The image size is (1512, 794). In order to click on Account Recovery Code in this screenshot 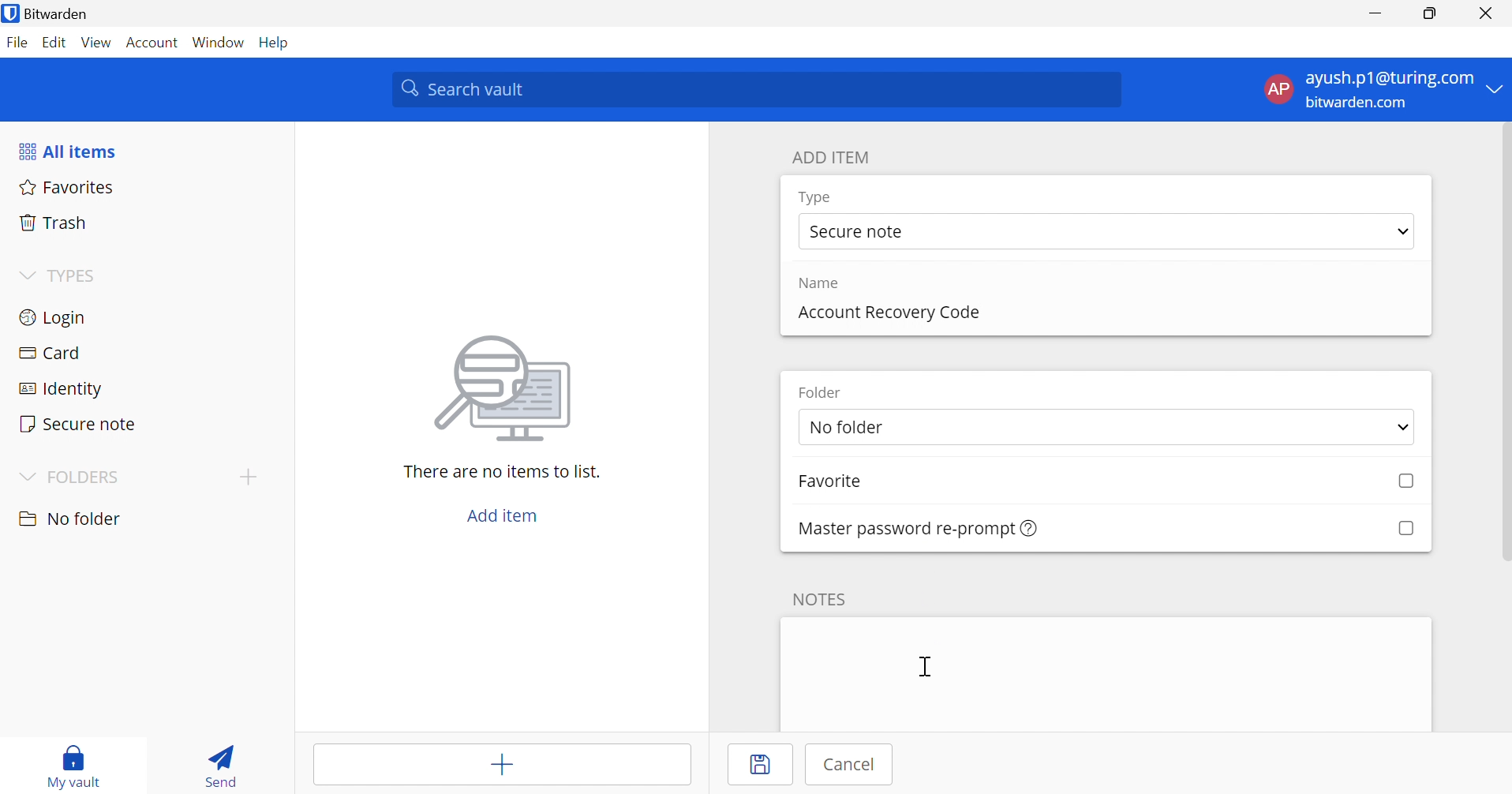, I will do `click(887, 311)`.